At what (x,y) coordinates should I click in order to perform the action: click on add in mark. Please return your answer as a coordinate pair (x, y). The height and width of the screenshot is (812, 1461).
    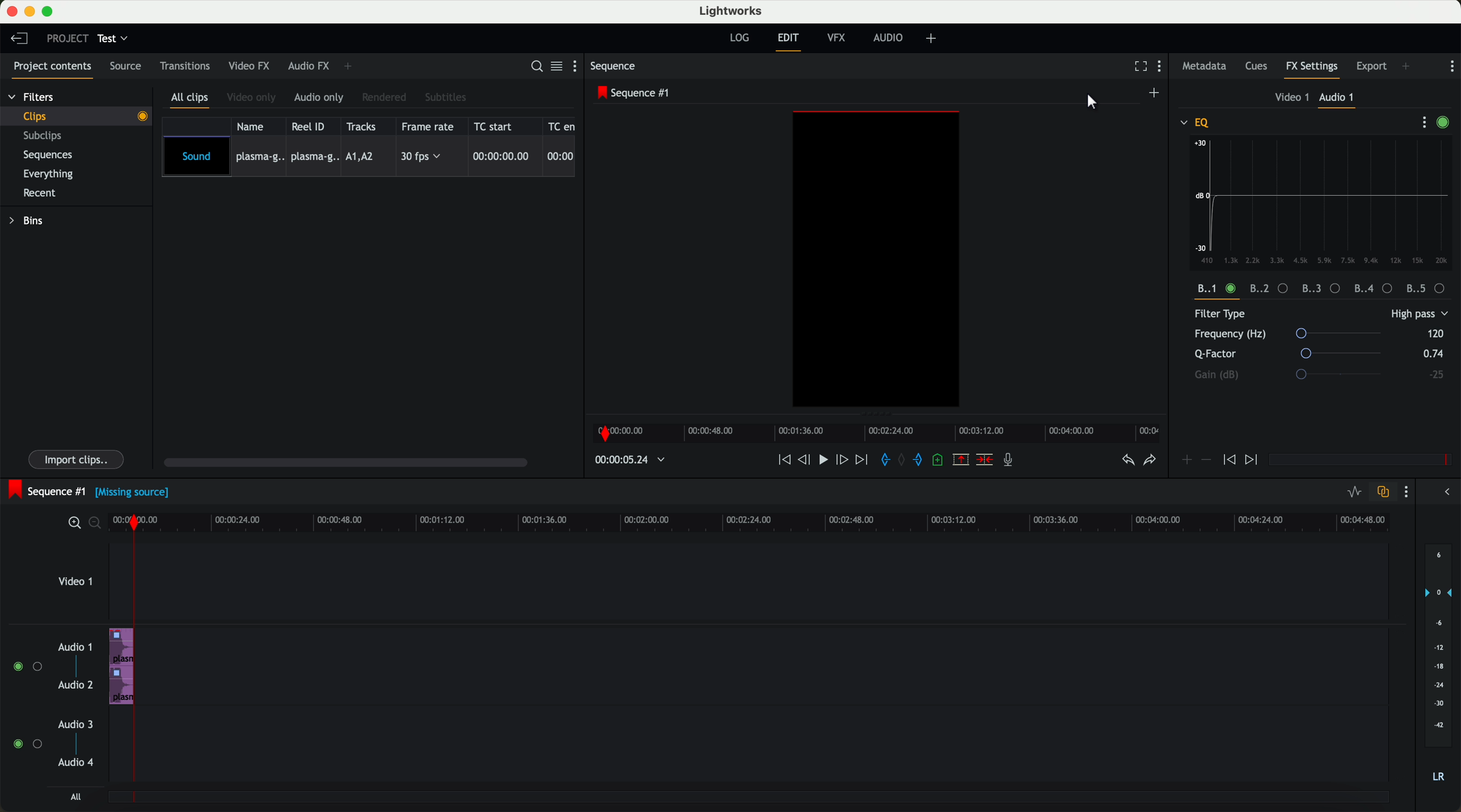
    Looking at the image, I should click on (886, 460).